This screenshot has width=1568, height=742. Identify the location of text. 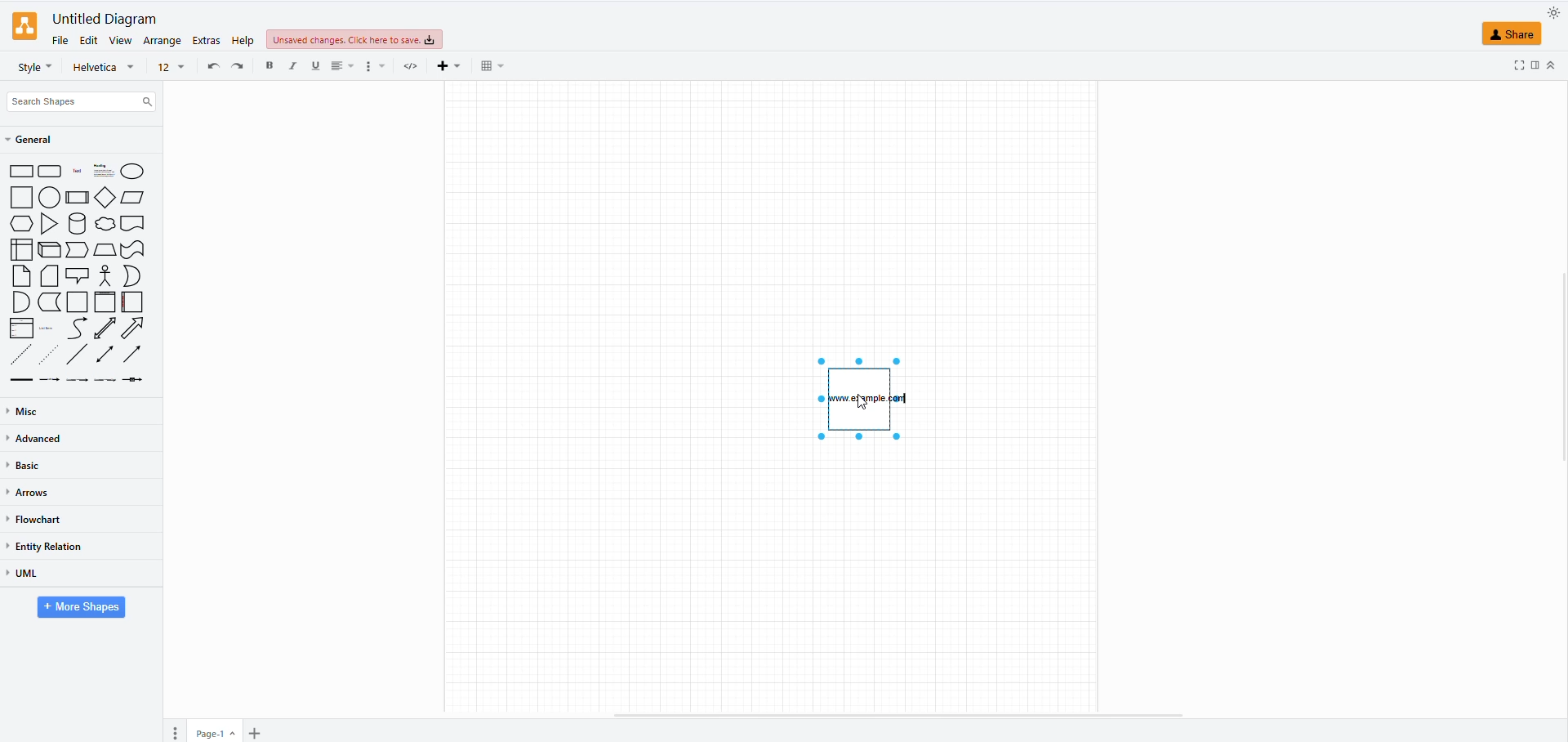
(76, 172).